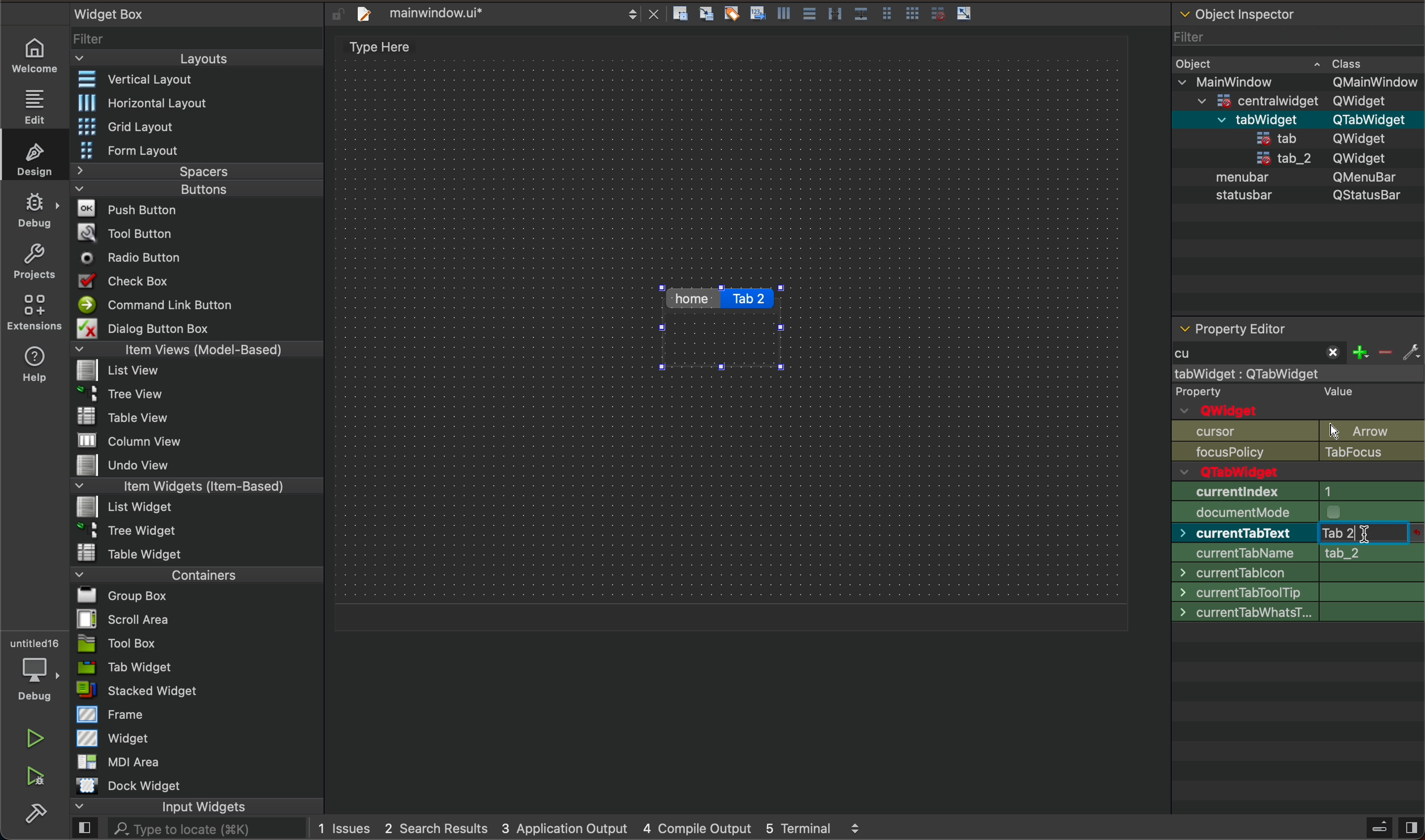 The height and width of the screenshot is (840, 1425). Describe the element at coordinates (32, 666) in the screenshot. I see `debugger` at that location.